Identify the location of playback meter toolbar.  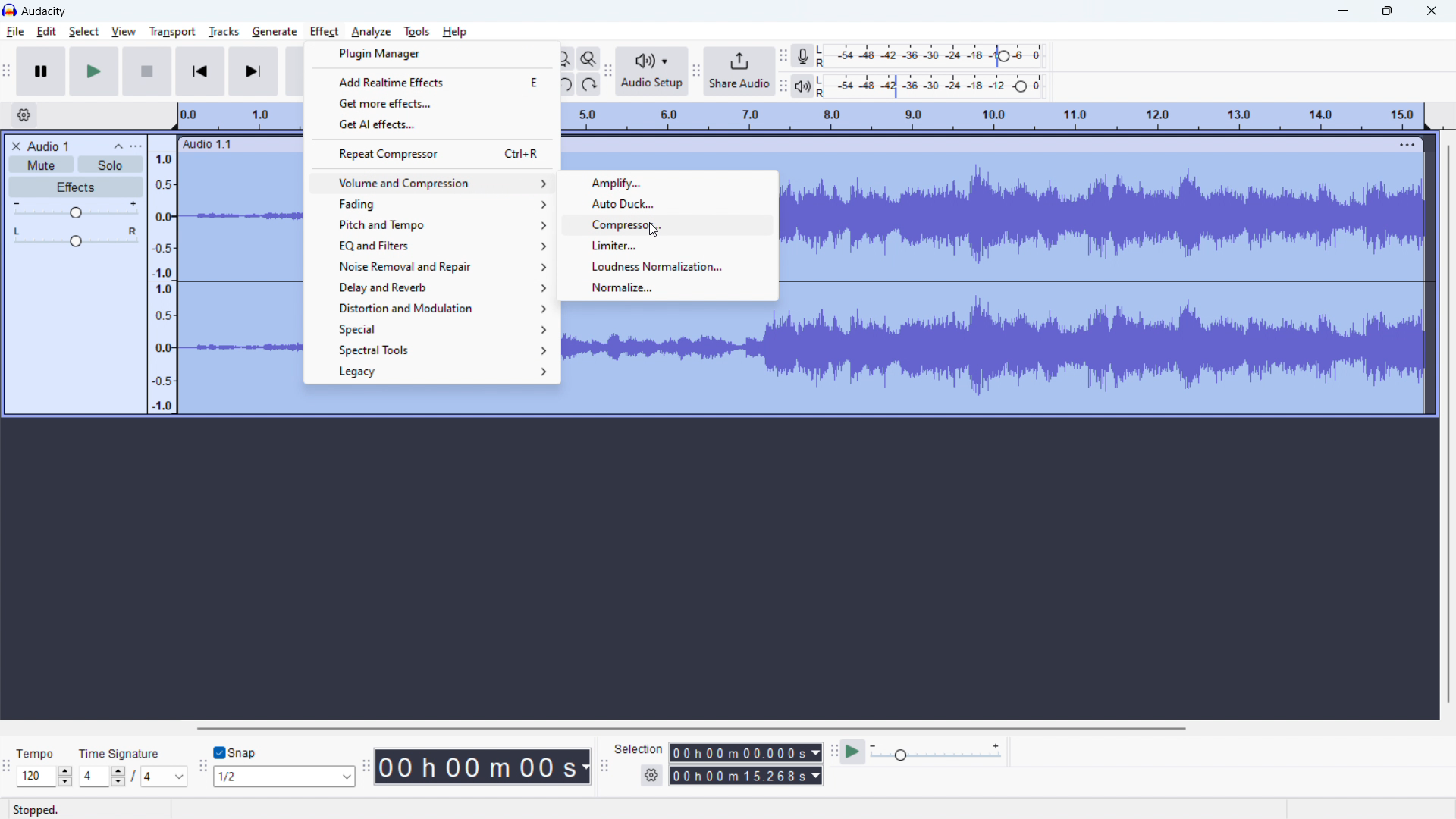
(783, 87).